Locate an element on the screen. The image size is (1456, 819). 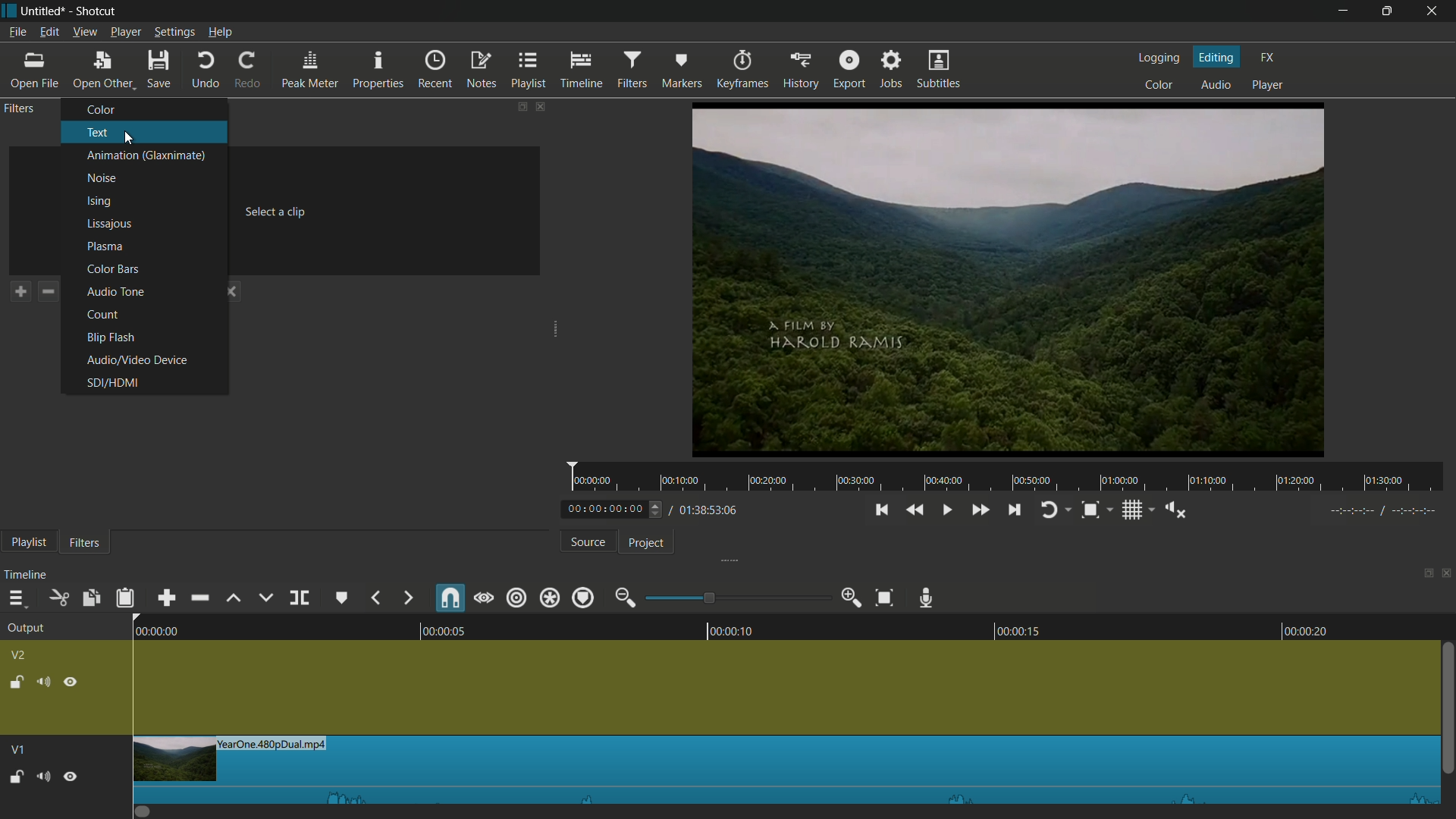
show volume control is located at coordinates (1175, 508).